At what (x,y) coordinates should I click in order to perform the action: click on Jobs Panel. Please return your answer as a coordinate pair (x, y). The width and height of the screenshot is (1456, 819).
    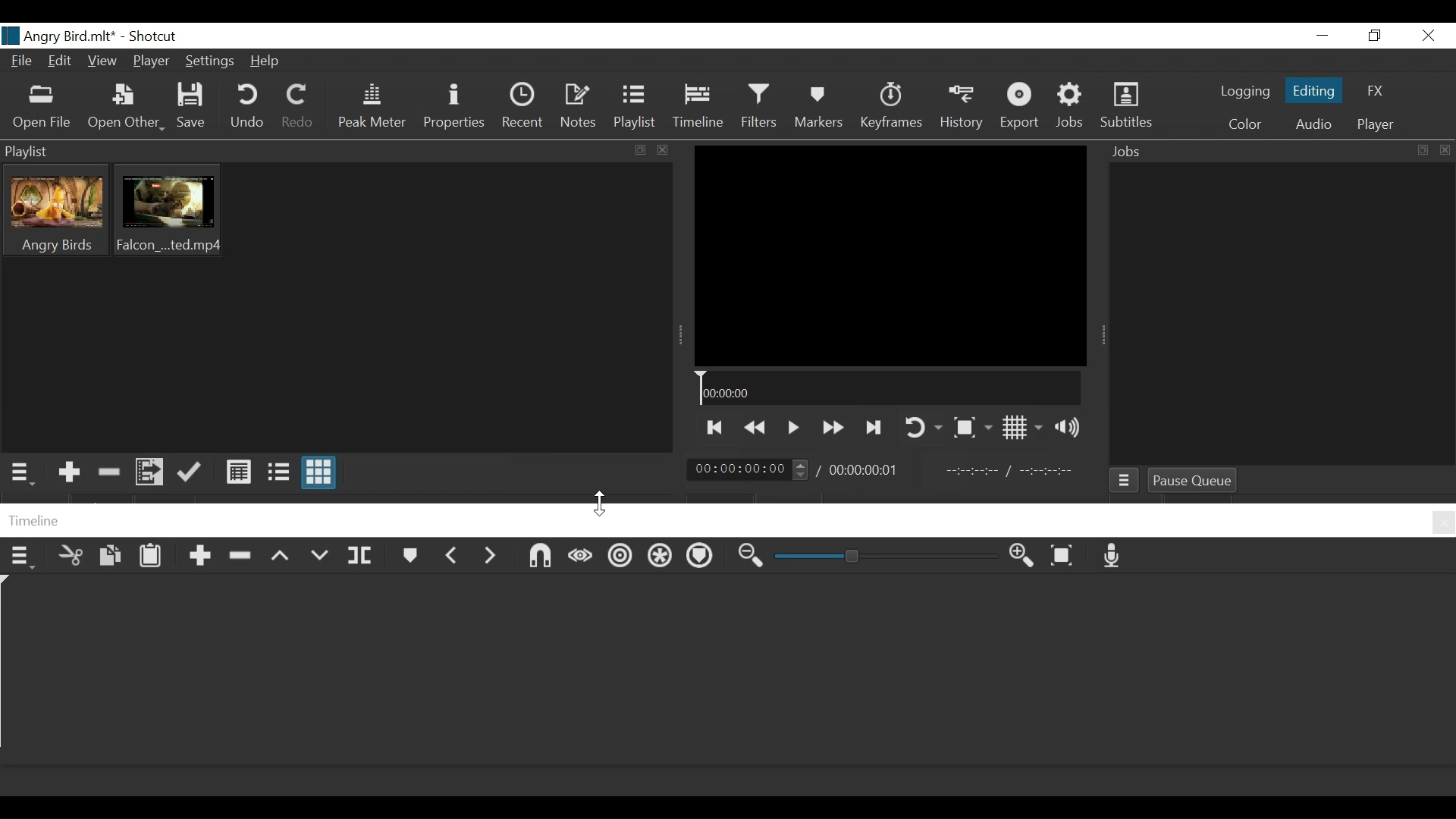
    Looking at the image, I should click on (1279, 151).